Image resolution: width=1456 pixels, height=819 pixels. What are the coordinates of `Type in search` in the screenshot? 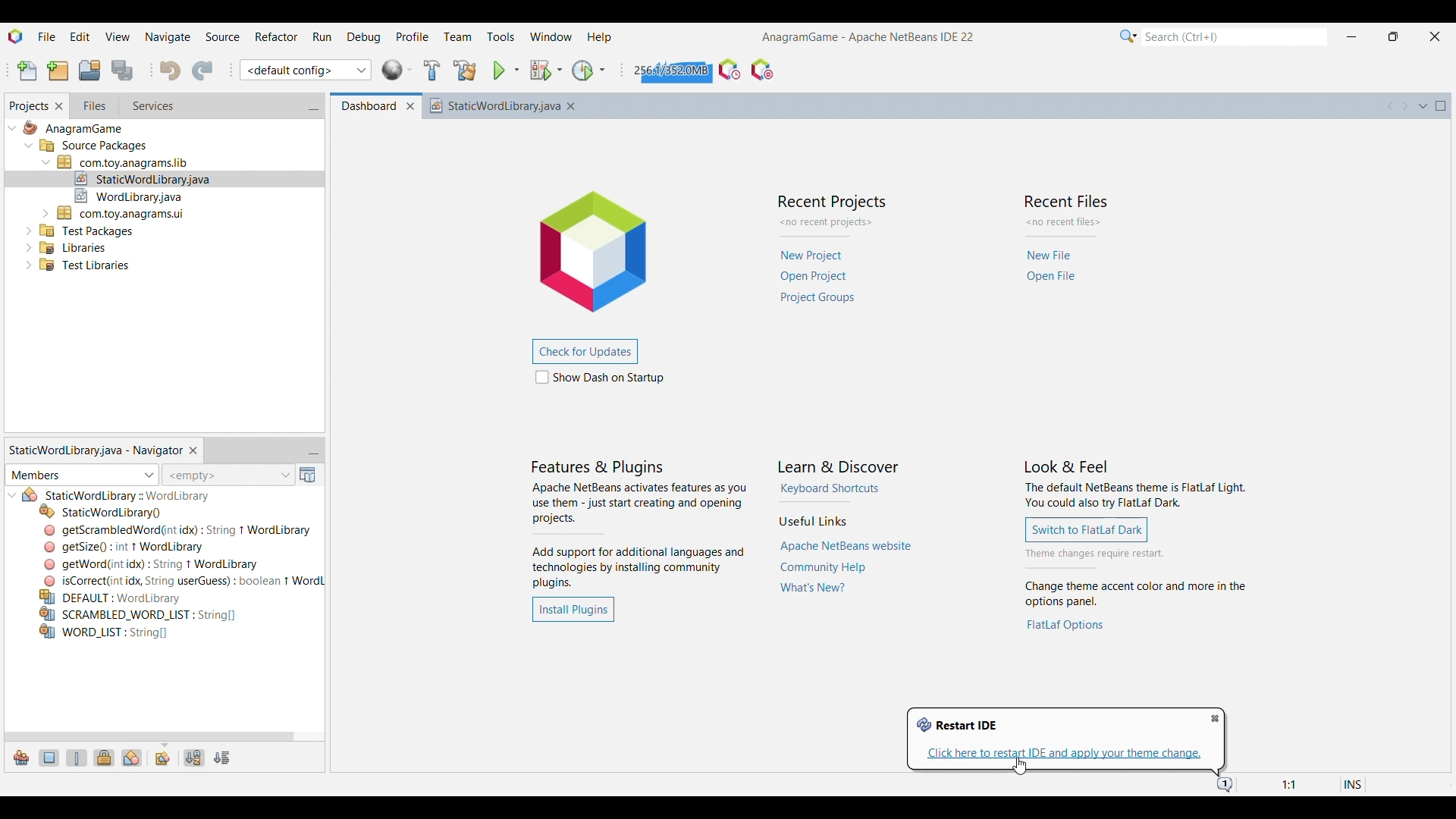 It's located at (1234, 36).